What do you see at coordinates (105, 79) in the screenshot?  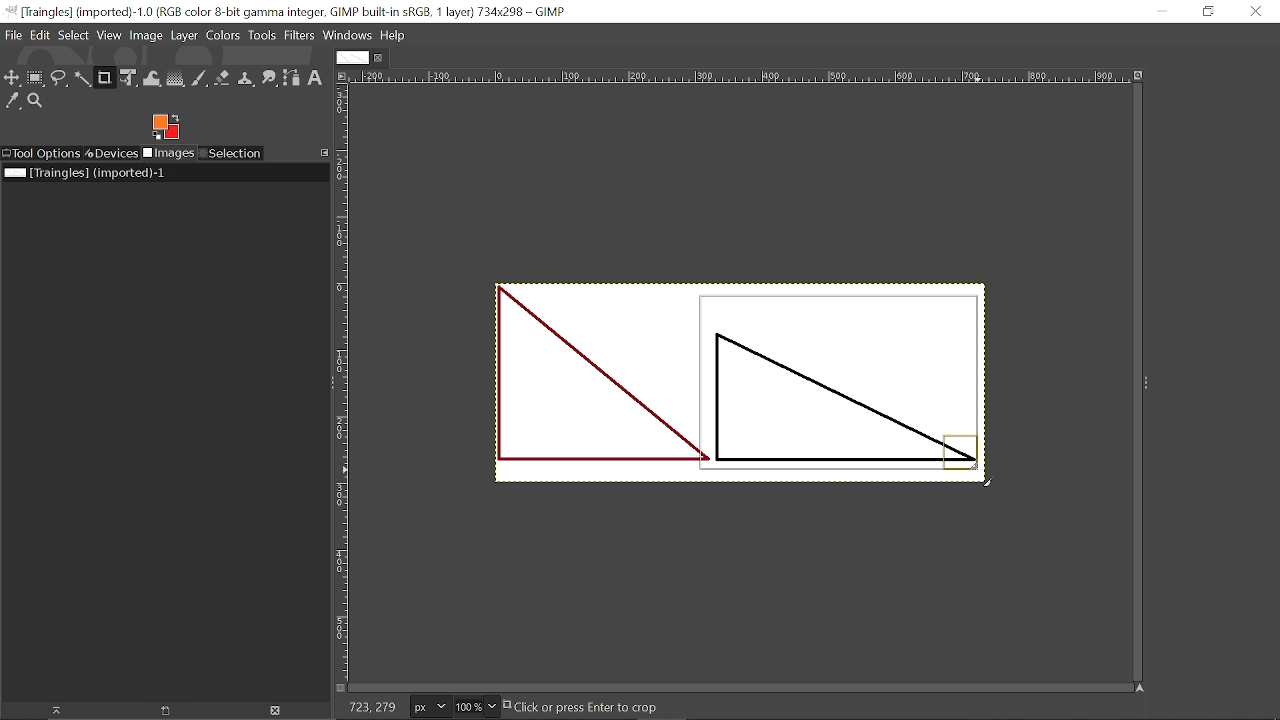 I see `Crop tool` at bounding box center [105, 79].